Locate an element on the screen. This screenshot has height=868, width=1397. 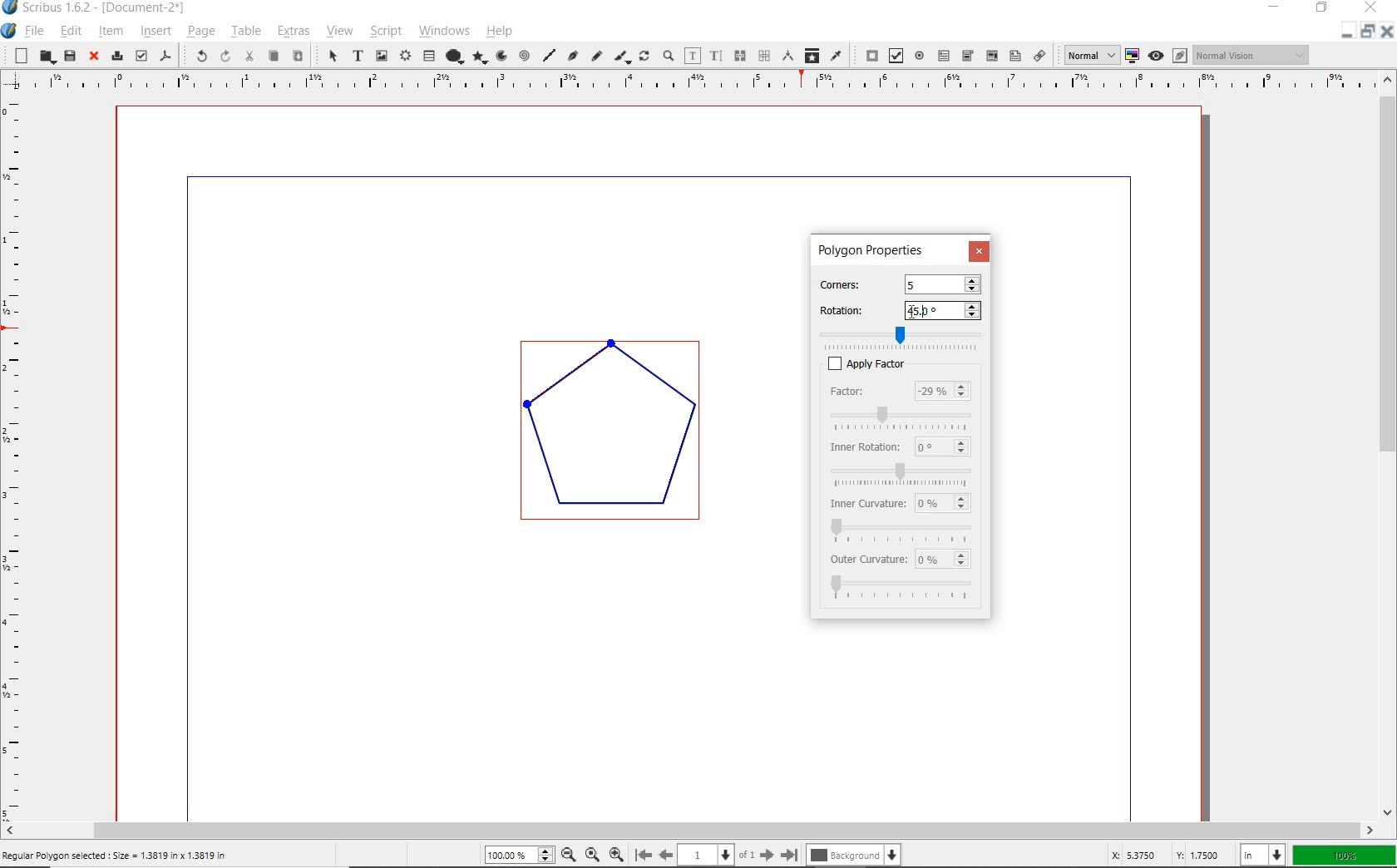
link annotation is located at coordinates (1039, 57).